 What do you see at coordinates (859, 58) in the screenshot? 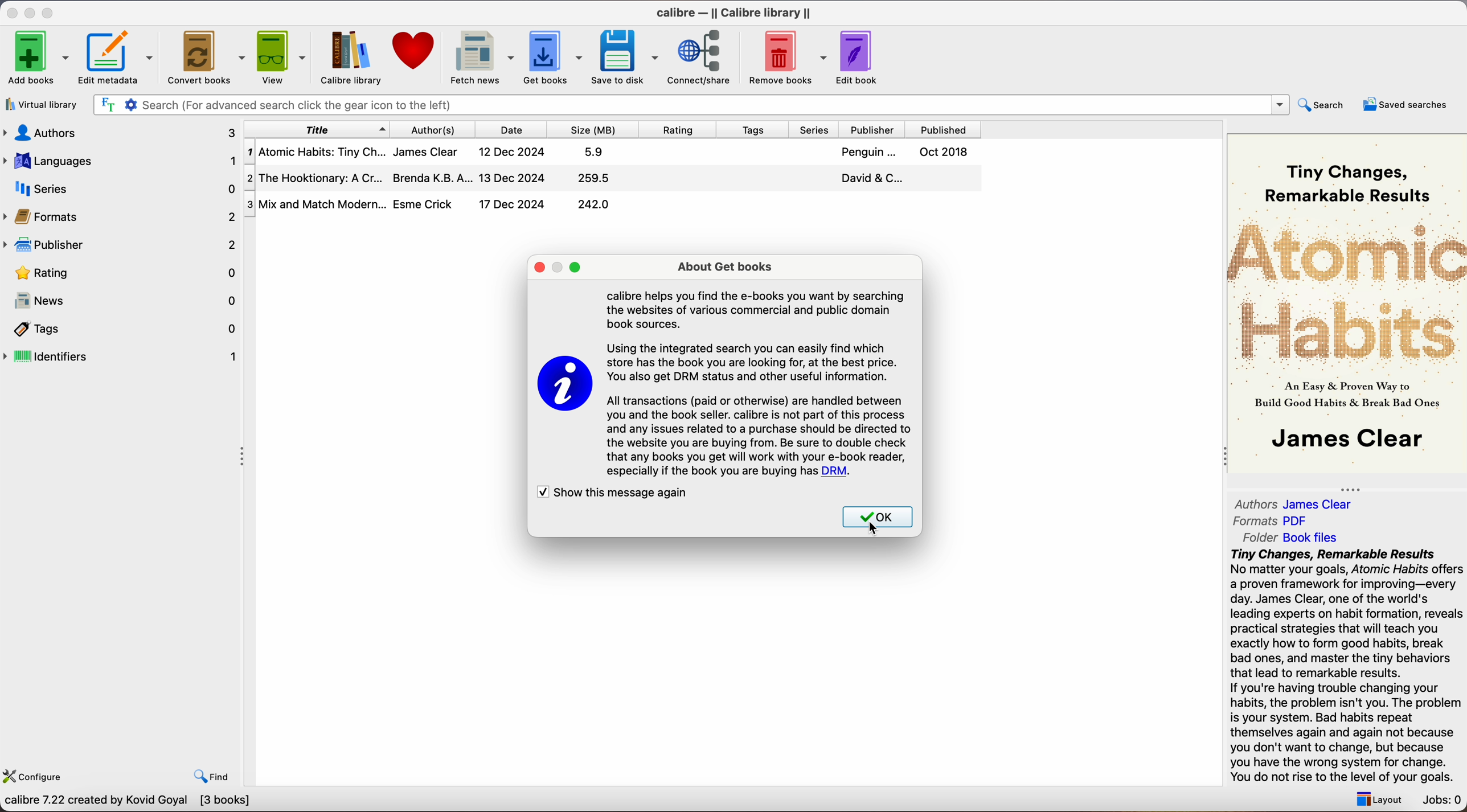
I see `edit book` at bounding box center [859, 58].